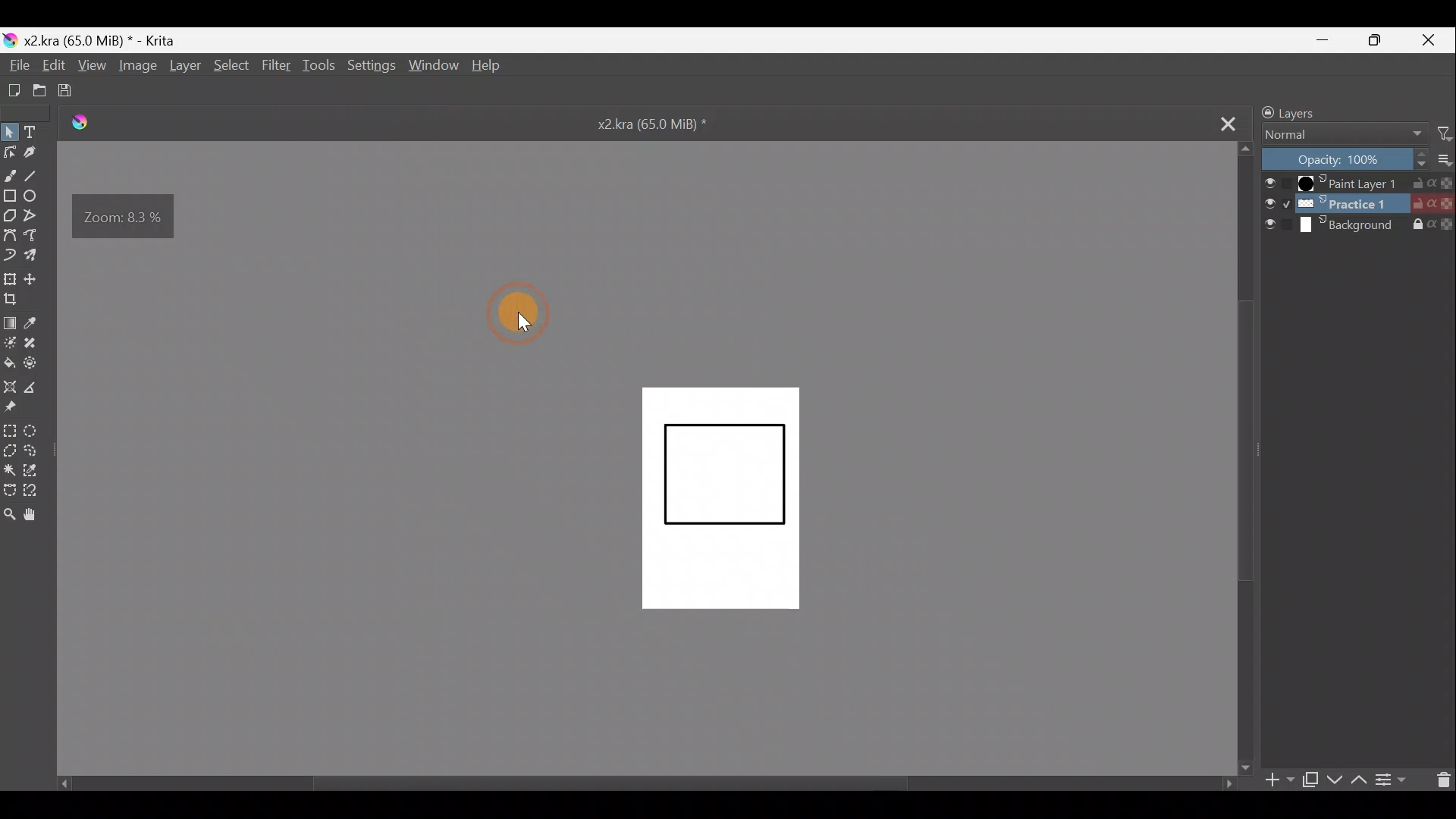 This screenshot has height=819, width=1456. What do you see at coordinates (318, 65) in the screenshot?
I see `Tools` at bounding box center [318, 65].